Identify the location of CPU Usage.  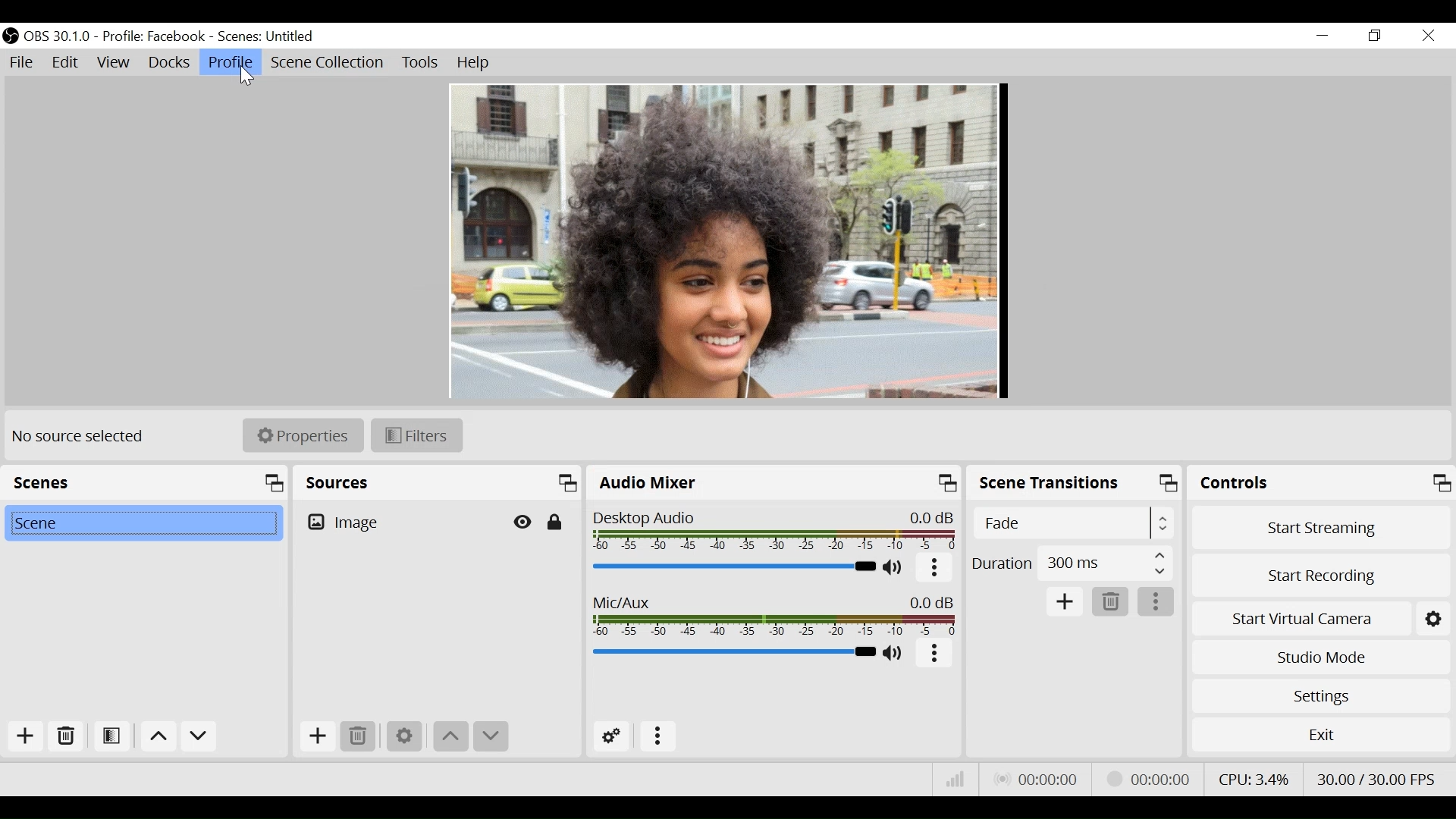
(1255, 777).